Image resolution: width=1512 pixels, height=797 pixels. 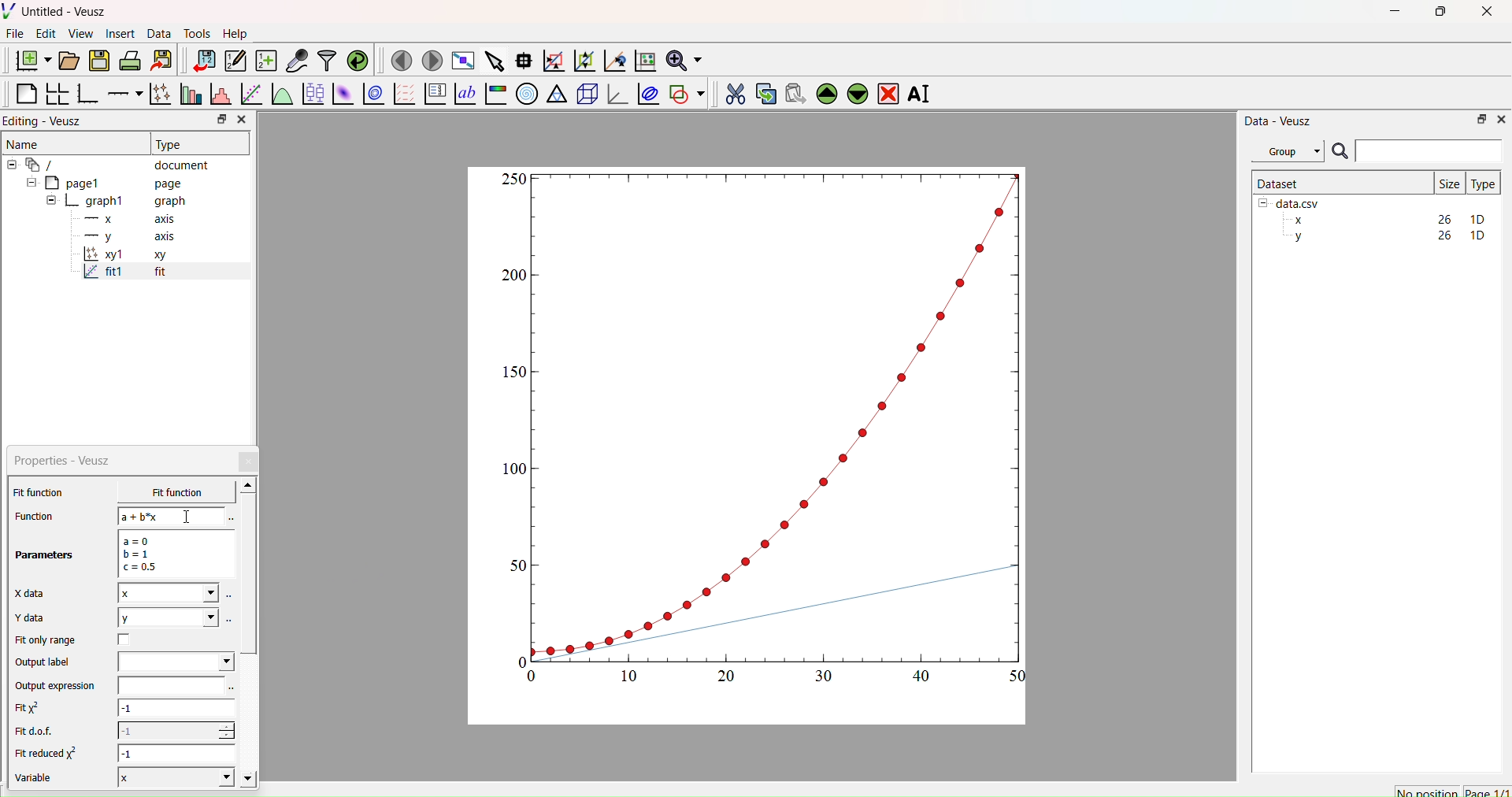 What do you see at coordinates (1385, 235) in the screenshot?
I see `y 26 1D` at bounding box center [1385, 235].